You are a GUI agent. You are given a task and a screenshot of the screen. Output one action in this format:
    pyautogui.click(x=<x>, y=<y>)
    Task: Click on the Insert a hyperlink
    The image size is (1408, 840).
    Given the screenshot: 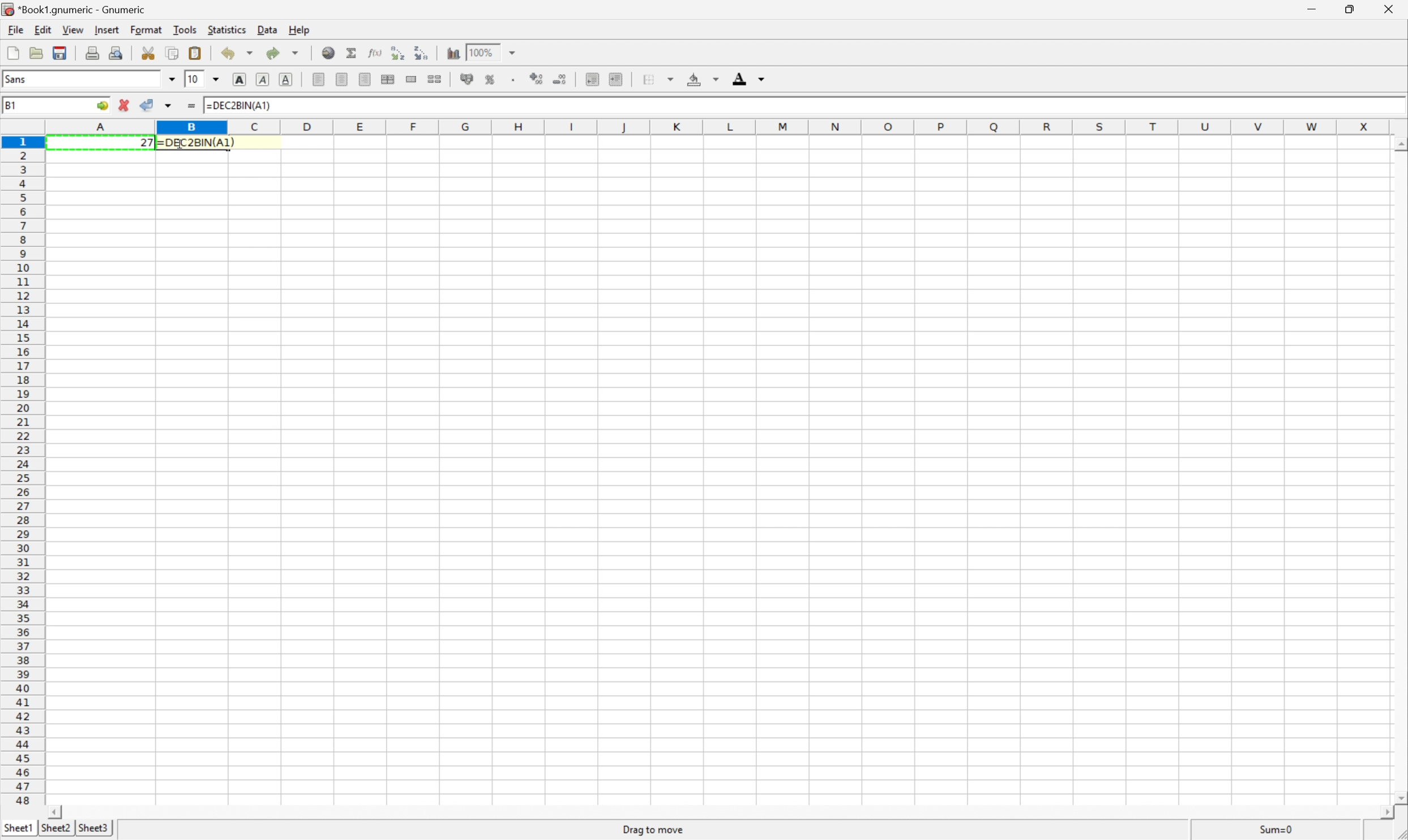 What is the action you would take?
    pyautogui.click(x=328, y=54)
    